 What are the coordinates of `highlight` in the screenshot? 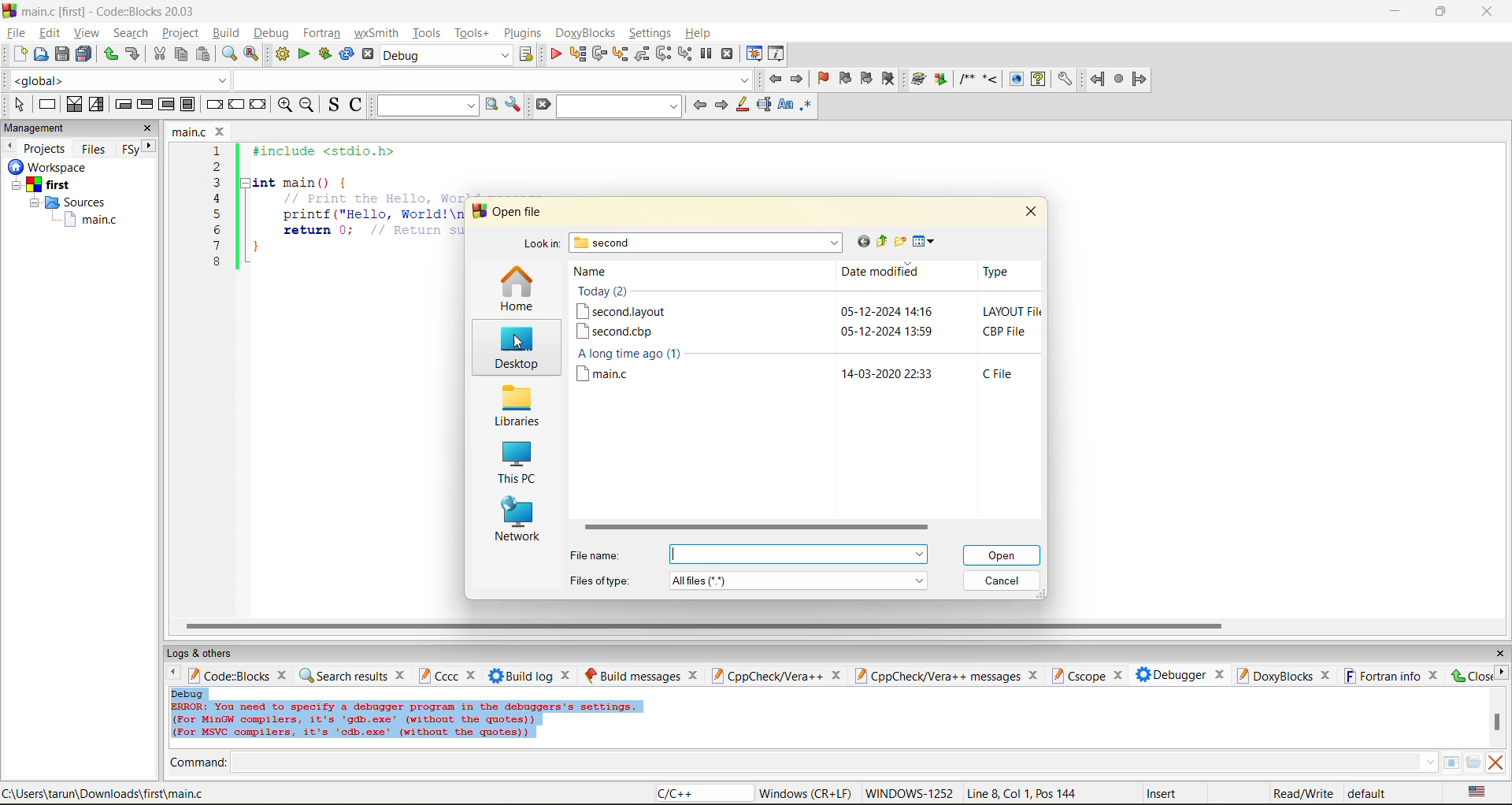 It's located at (741, 106).